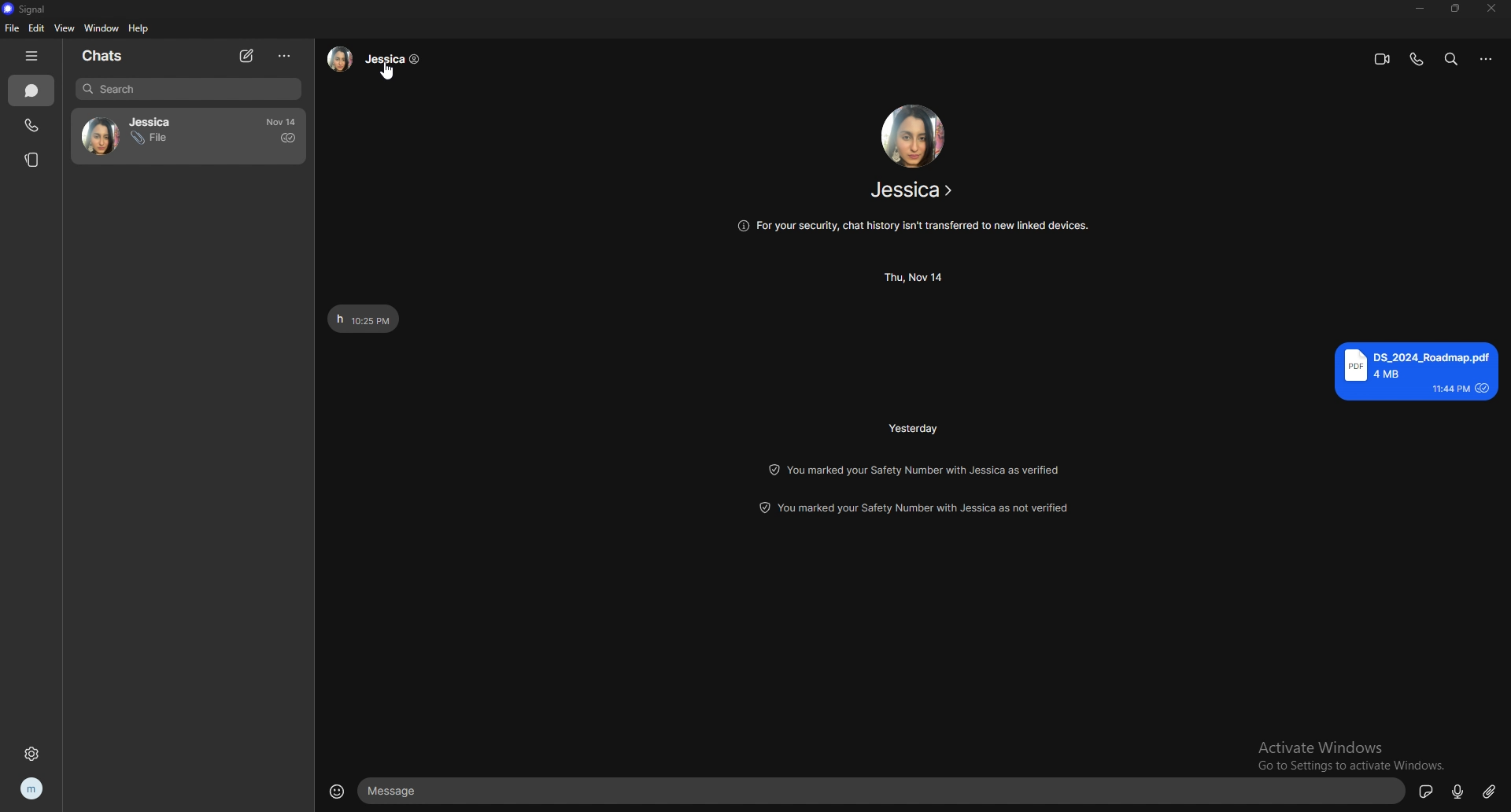 The width and height of the screenshot is (1511, 812). What do you see at coordinates (138, 29) in the screenshot?
I see `help` at bounding box center [138, 29].